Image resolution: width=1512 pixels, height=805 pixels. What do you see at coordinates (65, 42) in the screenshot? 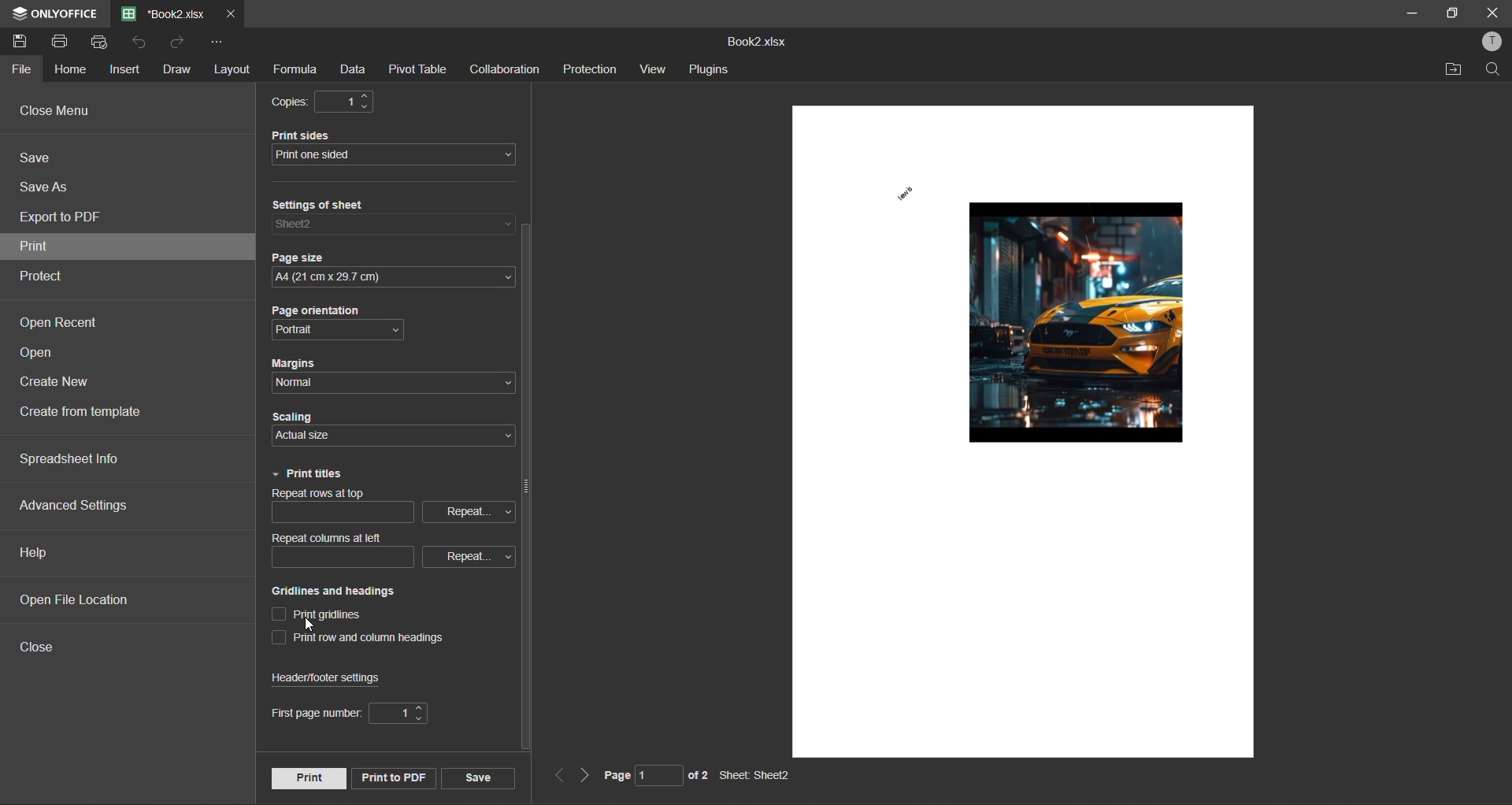
I see `print` at bounding box center [65, 42].